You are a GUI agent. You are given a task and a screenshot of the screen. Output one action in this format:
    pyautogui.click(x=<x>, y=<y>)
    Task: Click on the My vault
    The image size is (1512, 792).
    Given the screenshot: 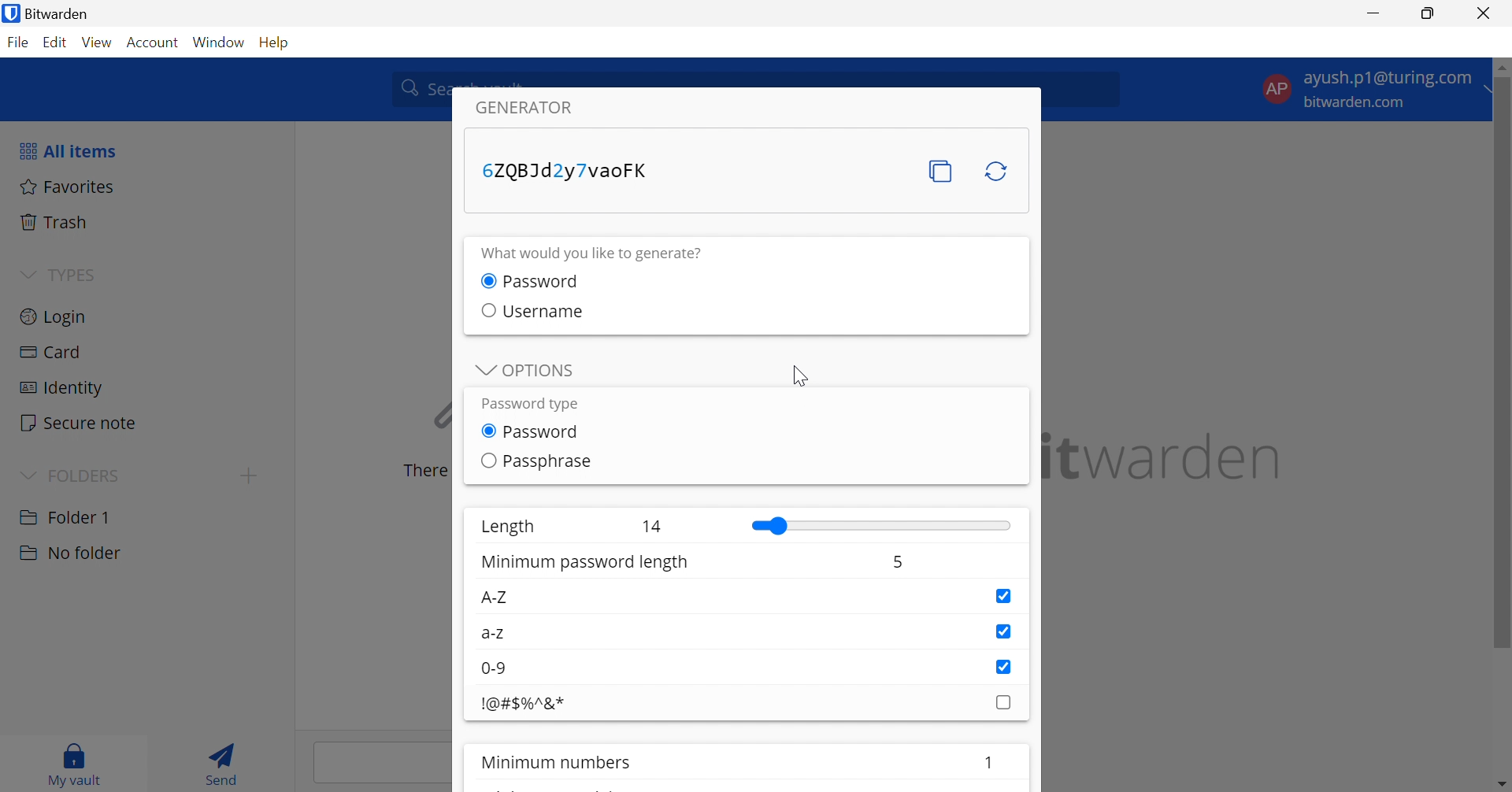 What is the action you would take?
    pyautogui.click(x=80, y=764)
    